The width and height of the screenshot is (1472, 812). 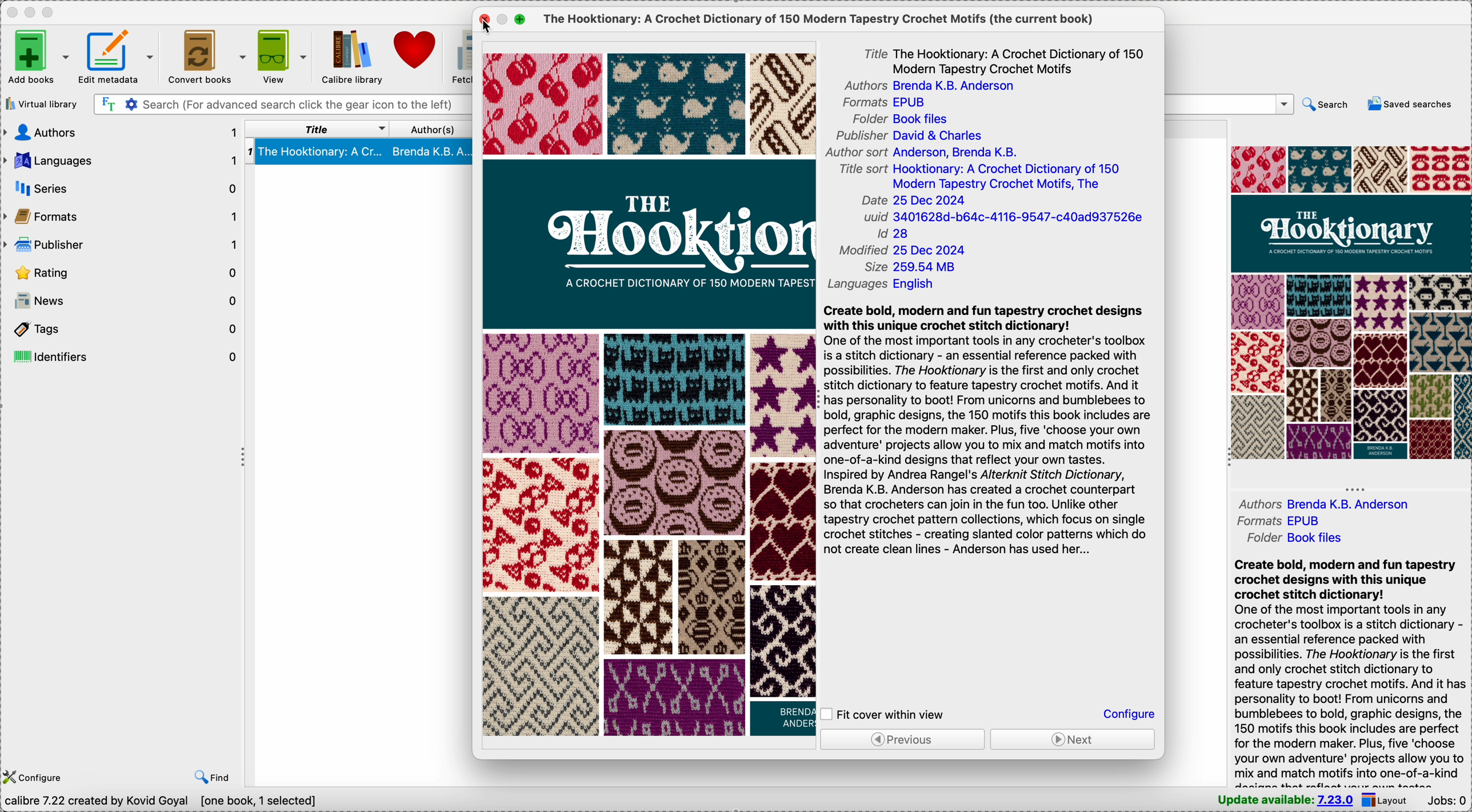 I want to click on maximize, so click(x=522, y=22).